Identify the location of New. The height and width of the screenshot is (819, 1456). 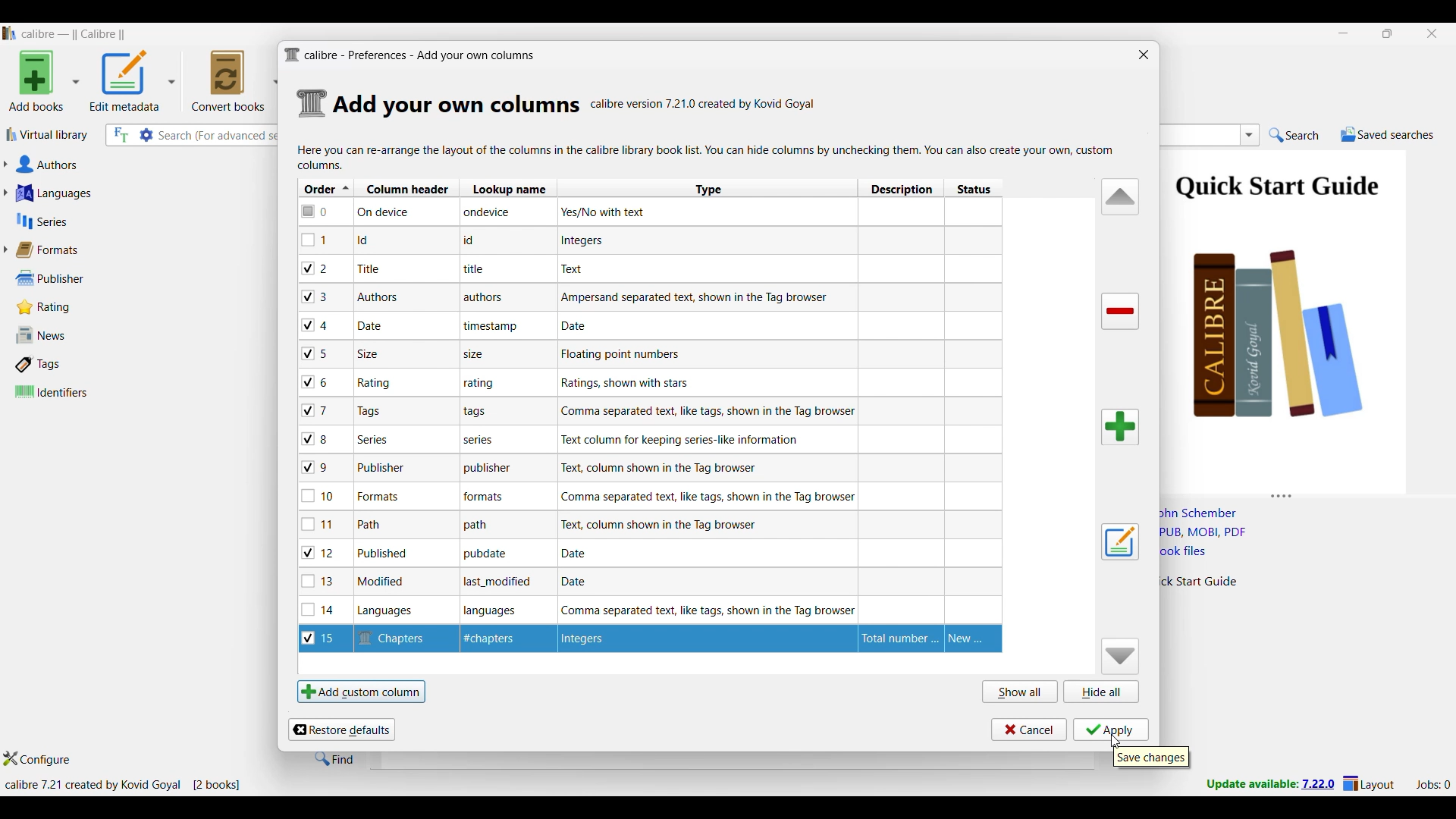
(973, 639).